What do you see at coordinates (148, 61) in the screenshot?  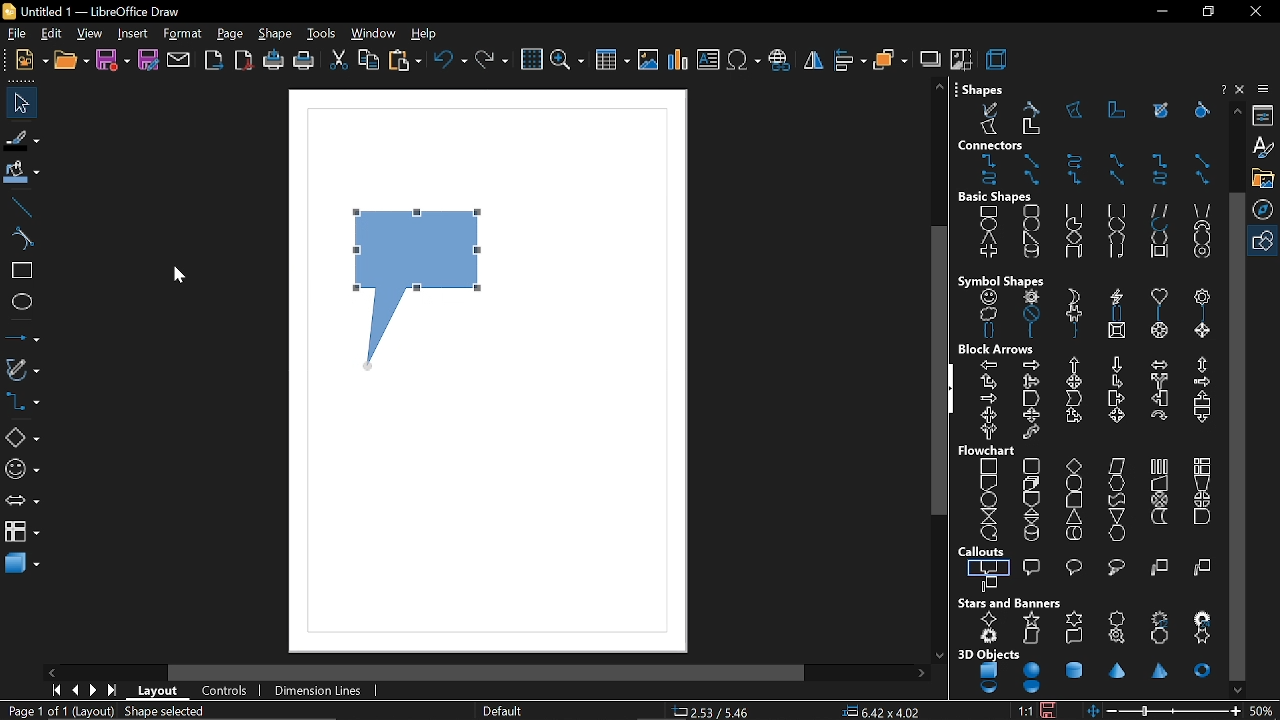 I see `save as` at bounding box center [148, 61].